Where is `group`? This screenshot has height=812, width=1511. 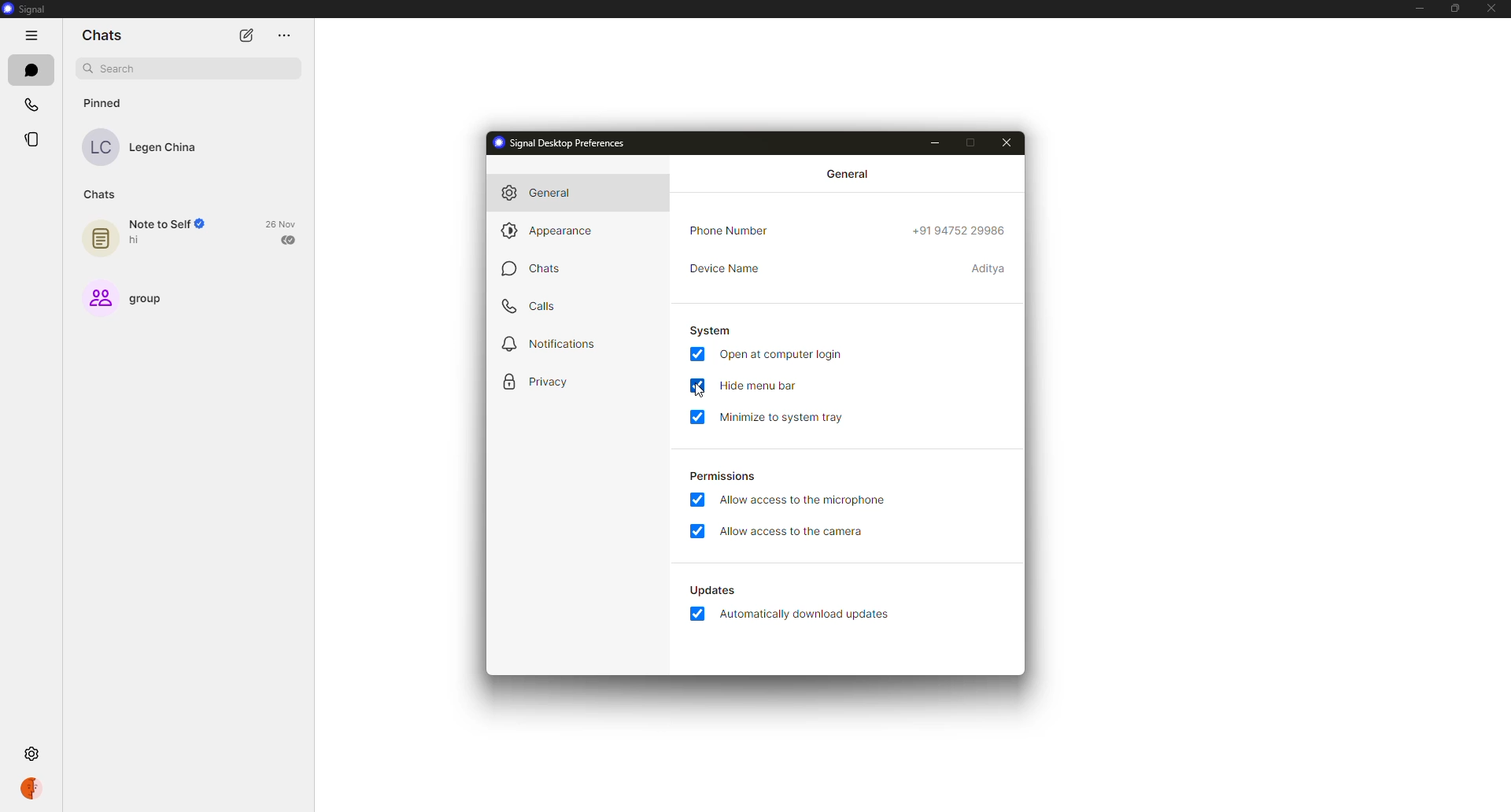 group is located at coordinates (128, 297).